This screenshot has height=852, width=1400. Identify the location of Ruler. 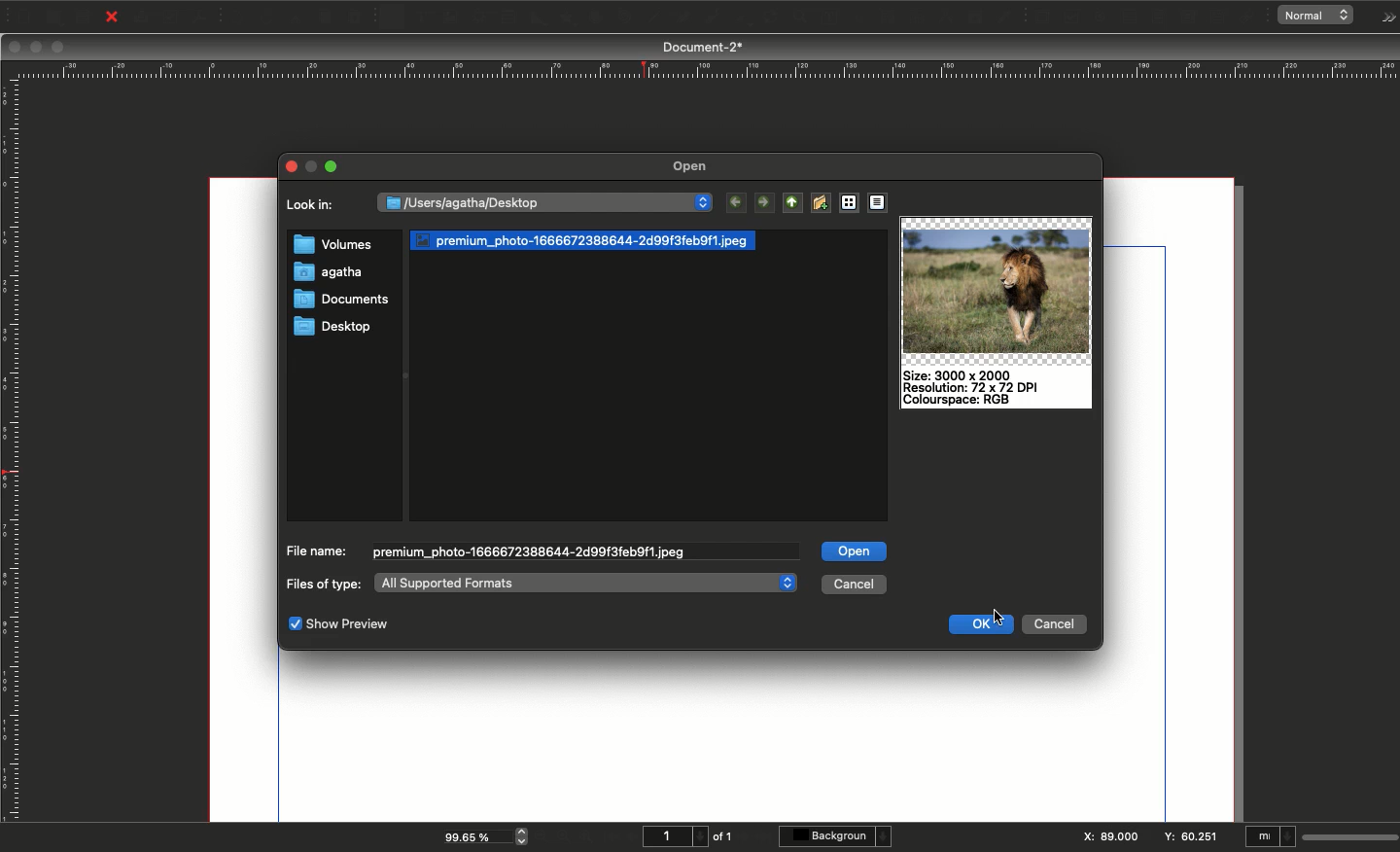
(13, 451).